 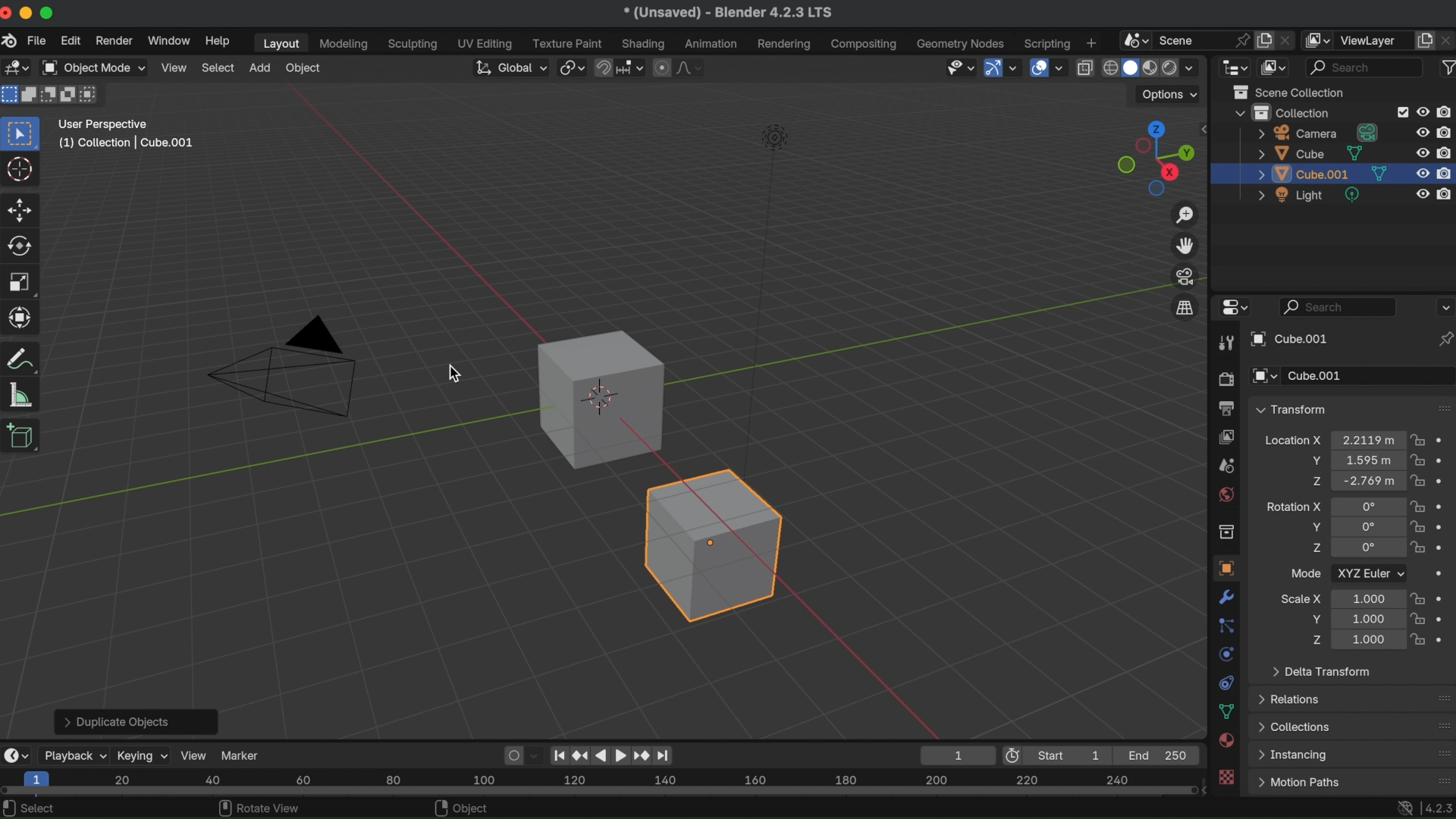 I want to click on animation, so click(x=713, y=44).